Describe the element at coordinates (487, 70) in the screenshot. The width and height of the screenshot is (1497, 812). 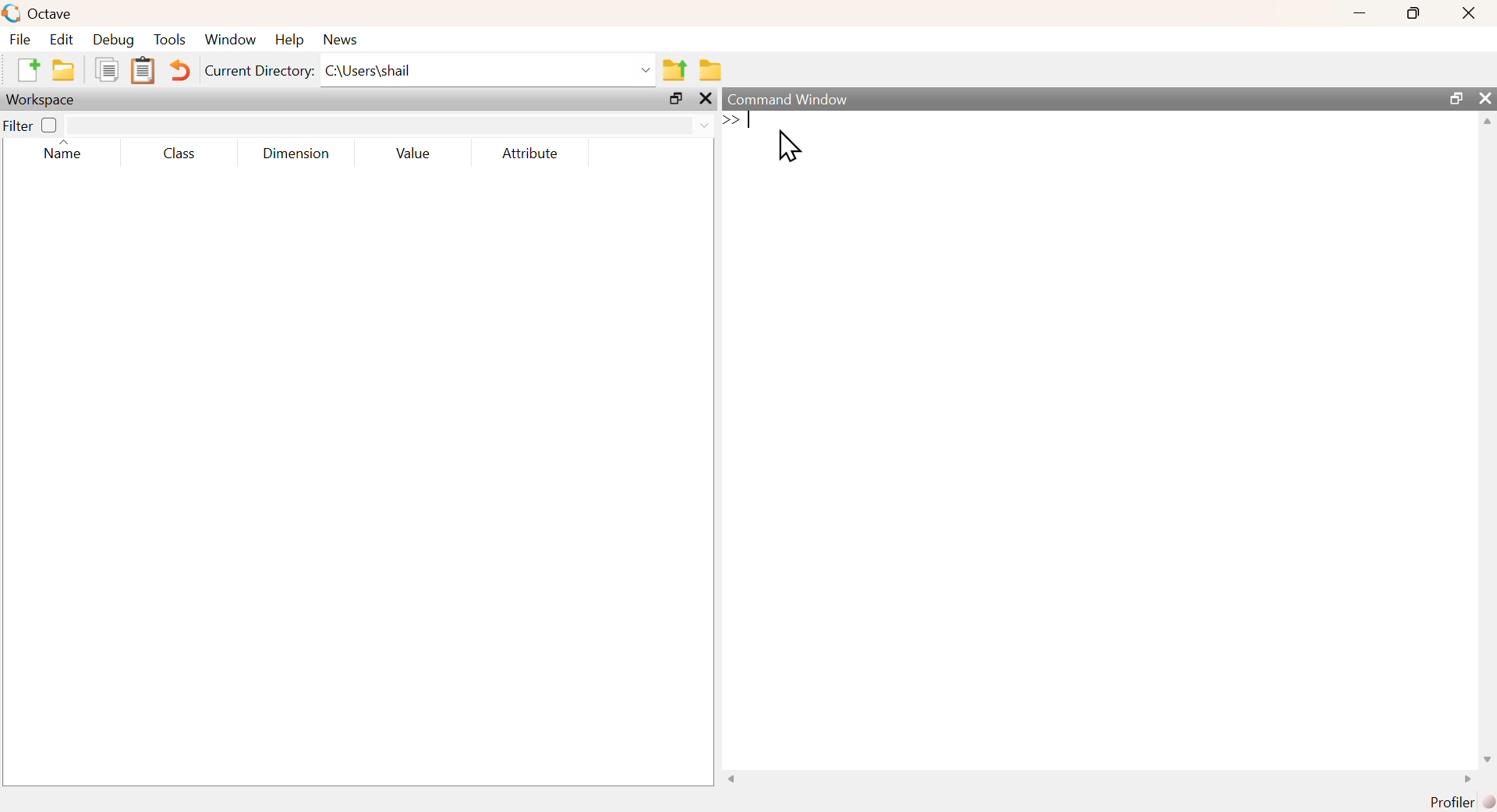
I see `C:\Users\shail` at that location.